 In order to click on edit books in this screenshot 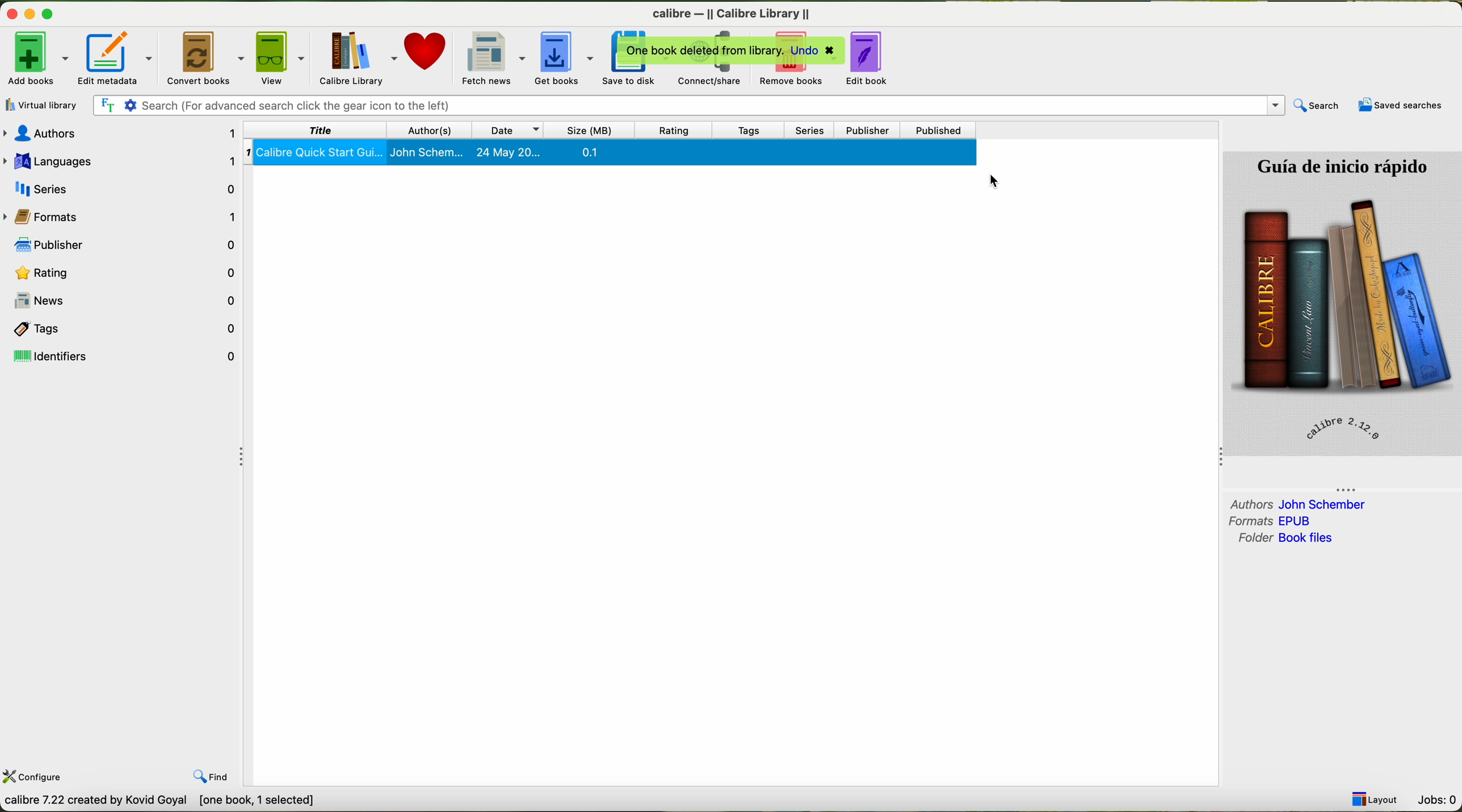, I will do `click(870, 59)`.